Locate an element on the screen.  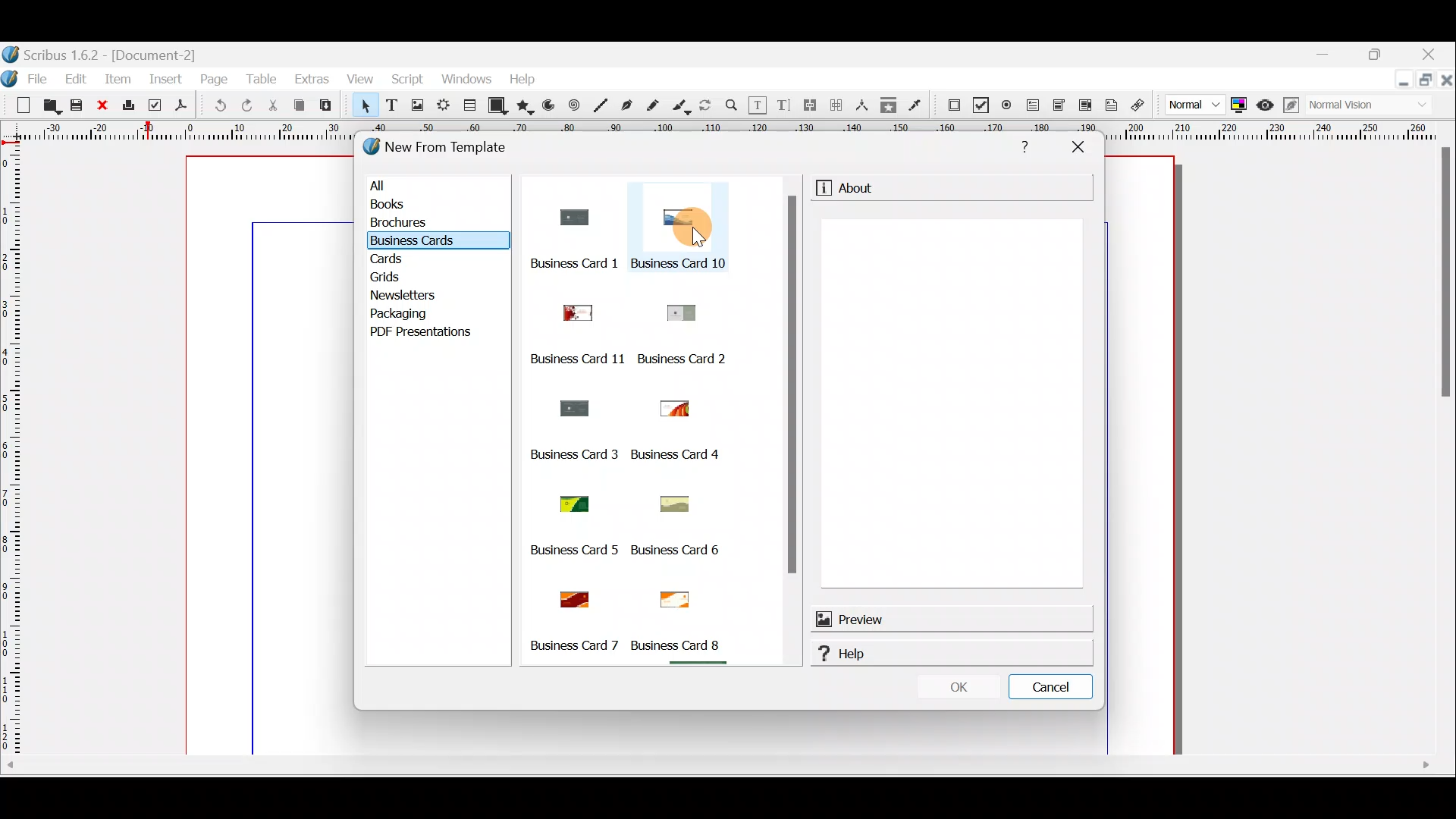
Text frame is located at coordinates (392, 108).